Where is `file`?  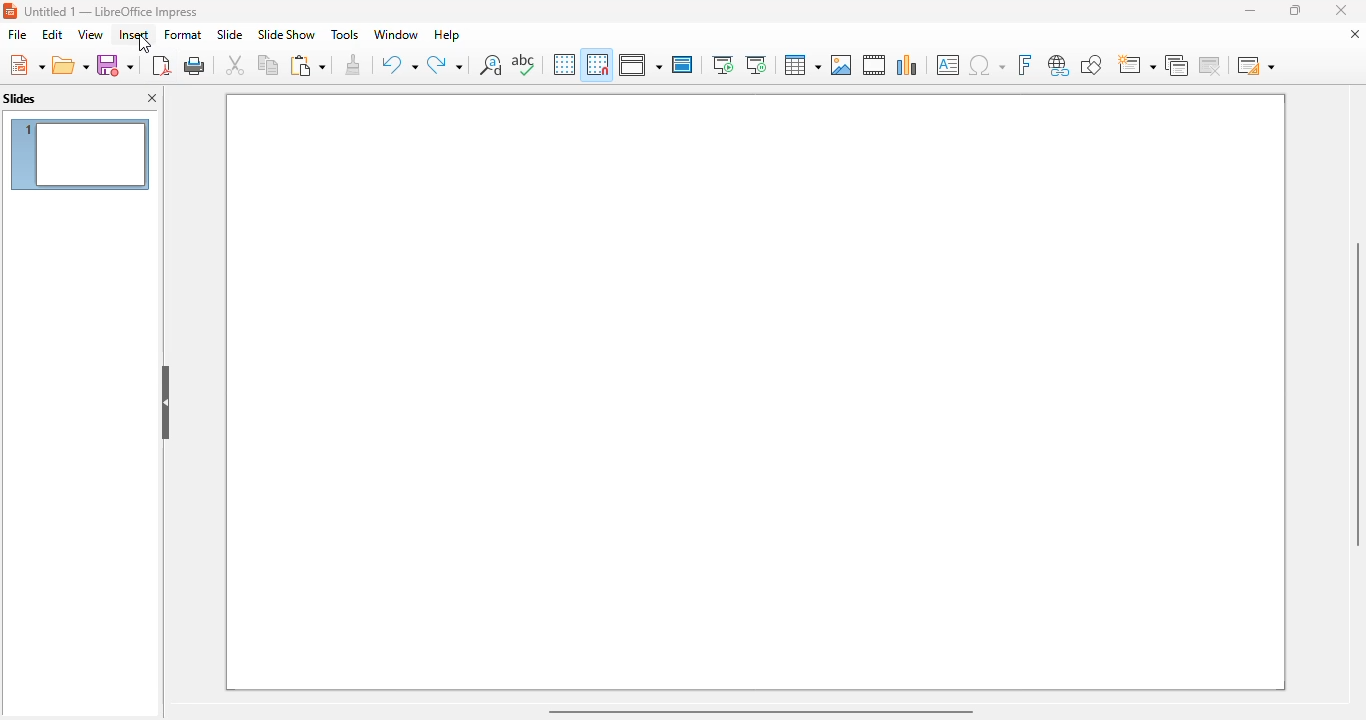 file is located at coordinates (17, 35).